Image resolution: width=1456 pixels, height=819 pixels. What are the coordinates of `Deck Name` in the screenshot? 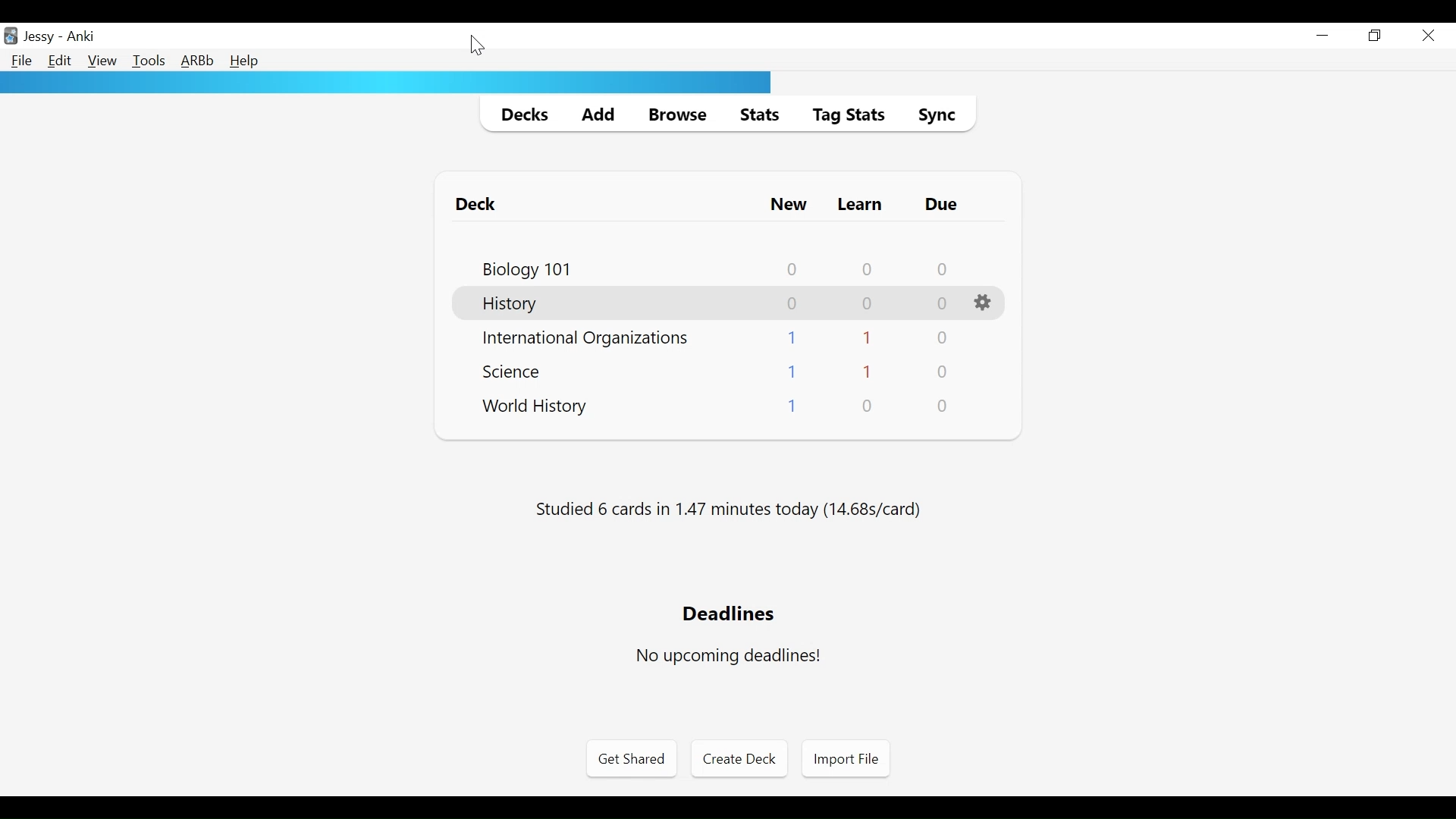 It's located at (511, 374).